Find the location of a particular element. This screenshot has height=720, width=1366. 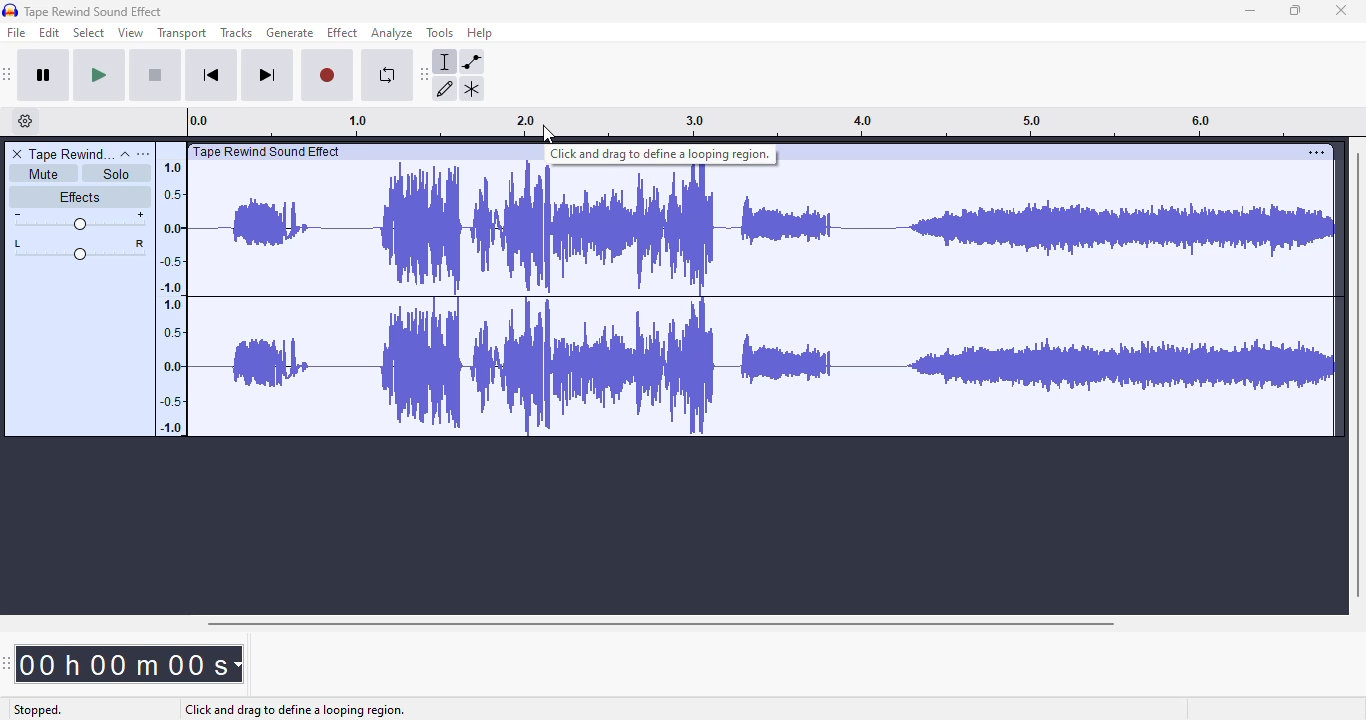

play is located at coordinates (101, 74).